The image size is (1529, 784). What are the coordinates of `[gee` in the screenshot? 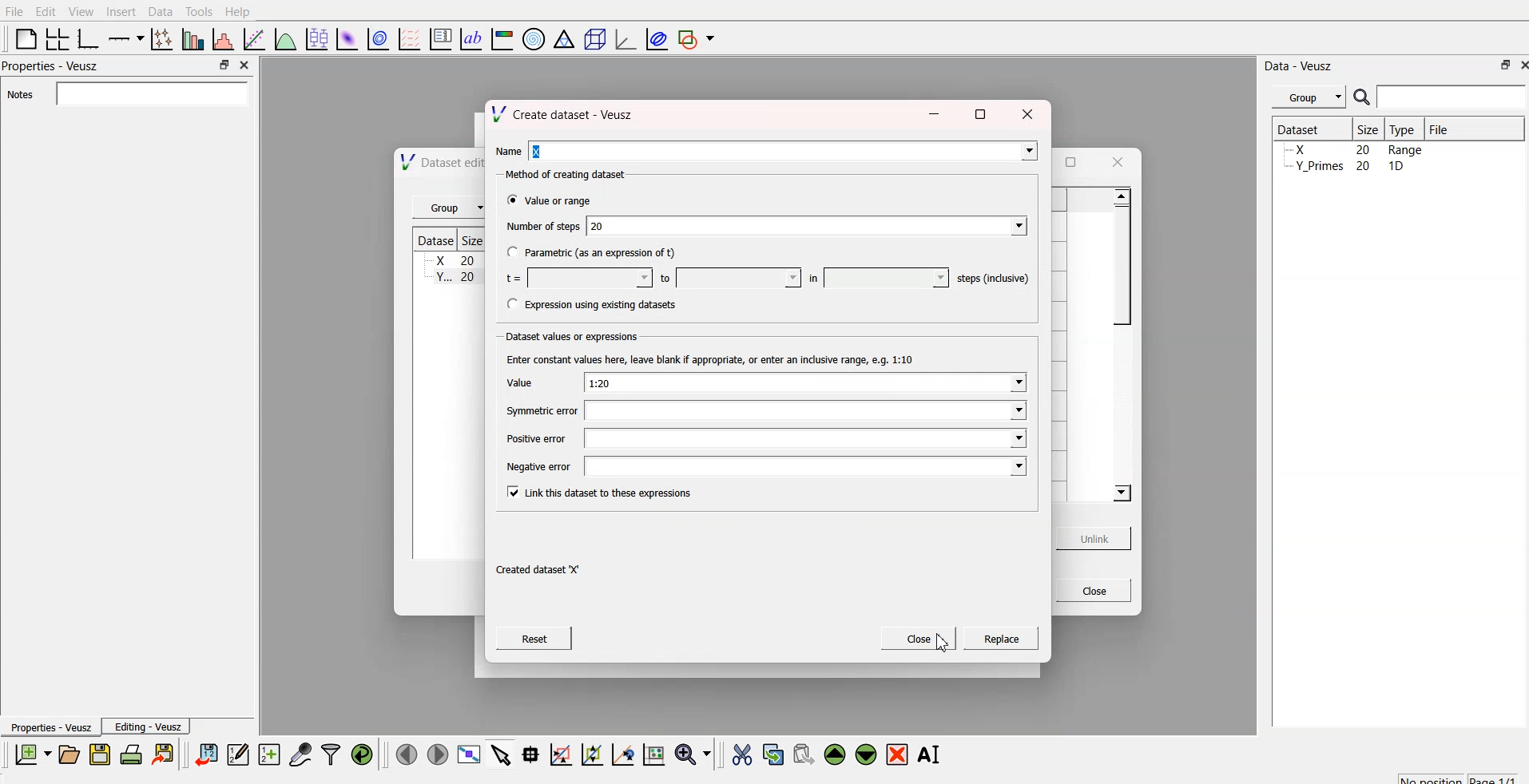 It's located at (999, 642).